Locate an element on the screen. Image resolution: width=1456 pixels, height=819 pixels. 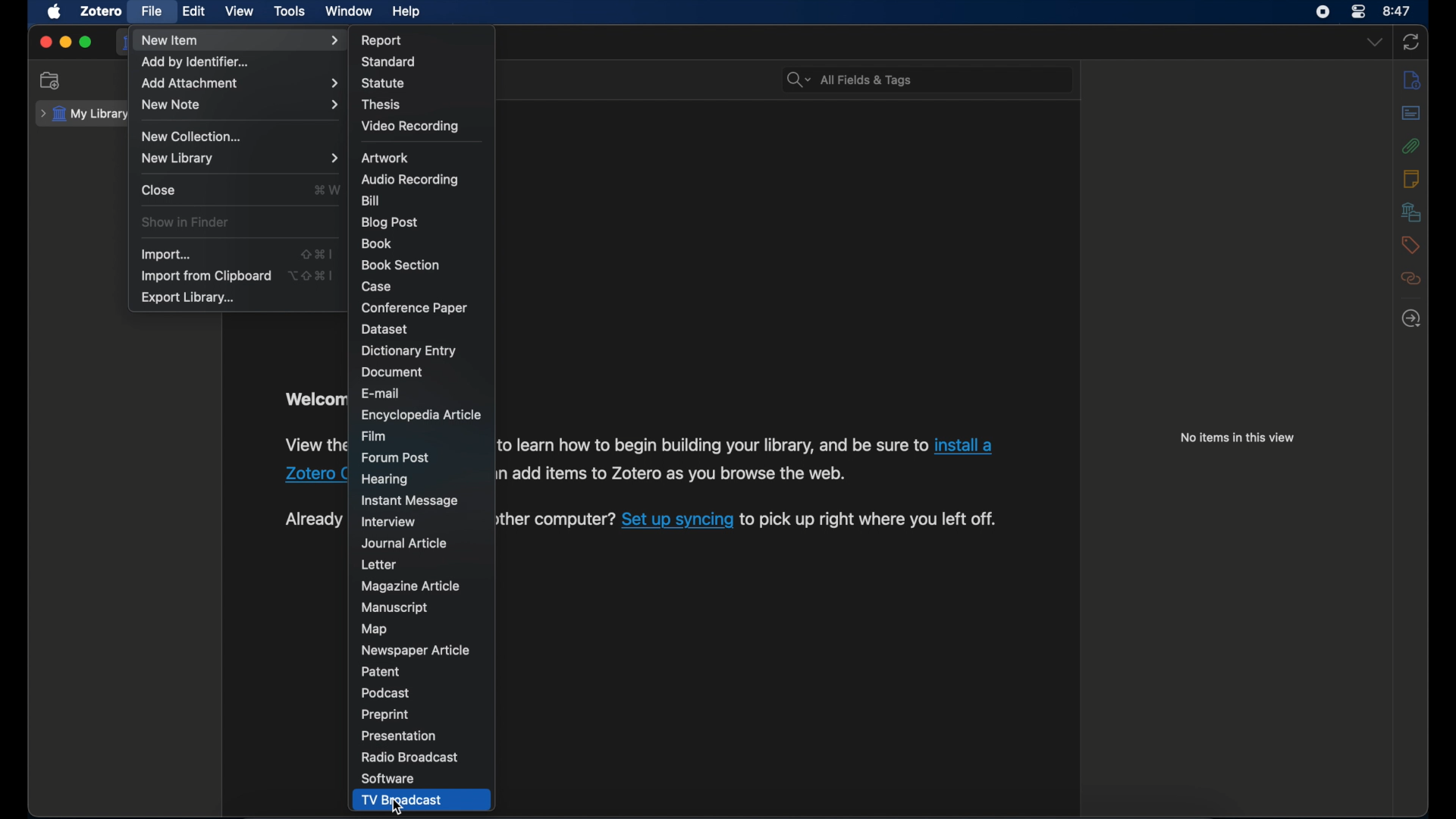
thesis is located at coordinates (381, 105).